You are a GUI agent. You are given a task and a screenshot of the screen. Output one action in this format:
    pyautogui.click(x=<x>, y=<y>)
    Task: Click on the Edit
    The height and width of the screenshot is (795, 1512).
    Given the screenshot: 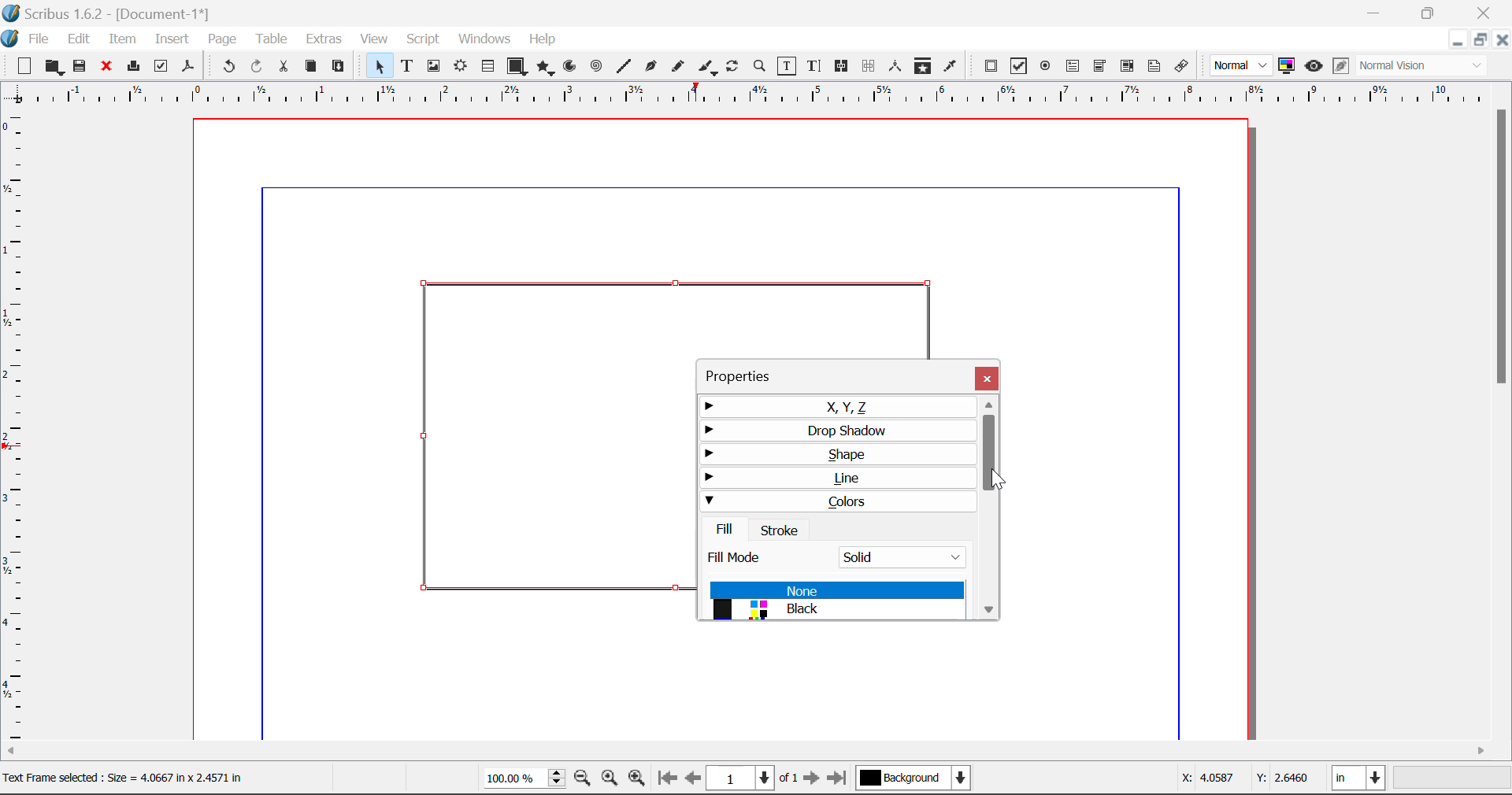 What is the action you would take?
    pyautogui.click(x=79, y=38)
    